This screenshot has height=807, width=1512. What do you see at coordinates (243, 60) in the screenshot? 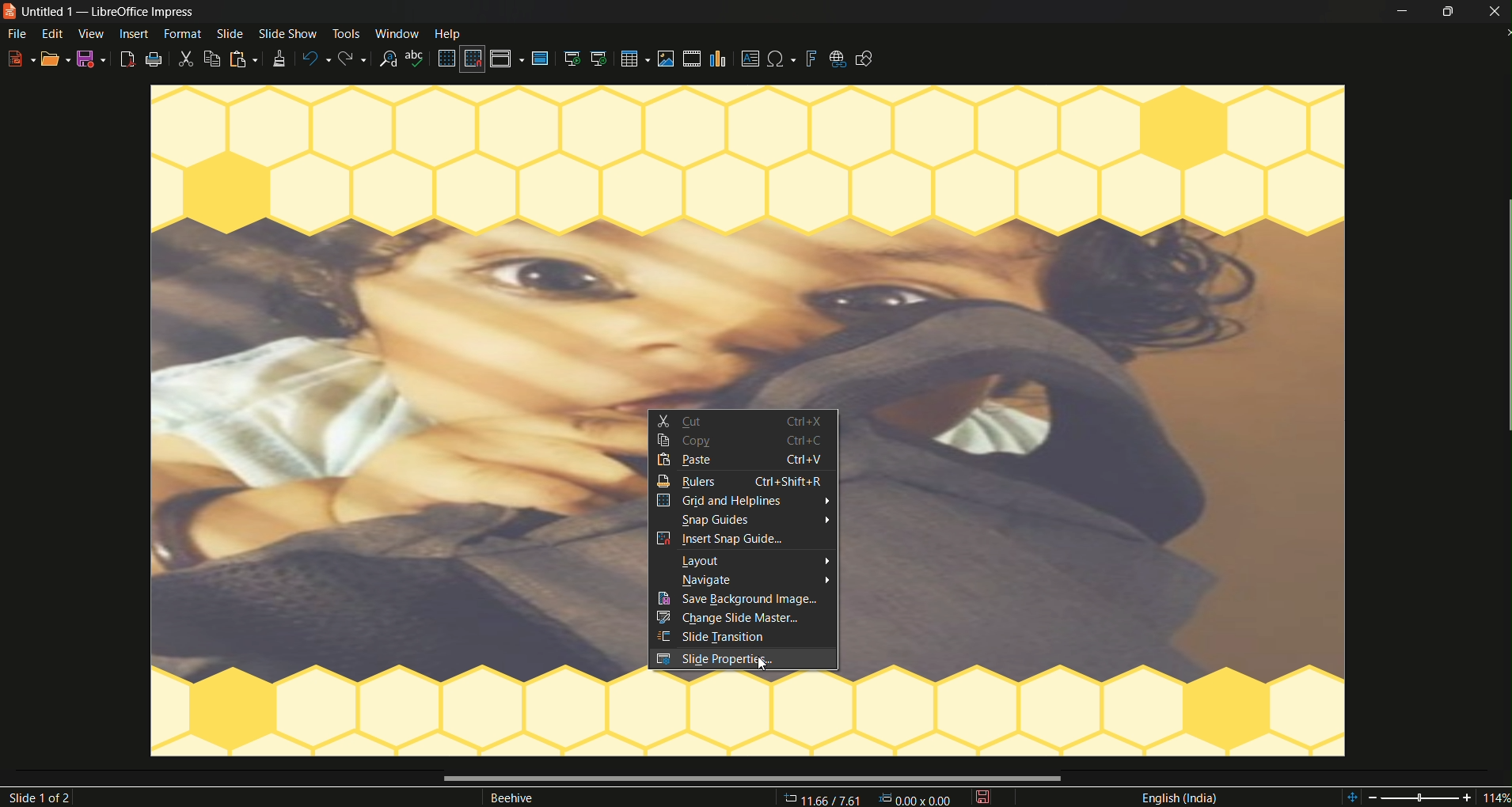
I see `paste` at bounding box center [243, 60].